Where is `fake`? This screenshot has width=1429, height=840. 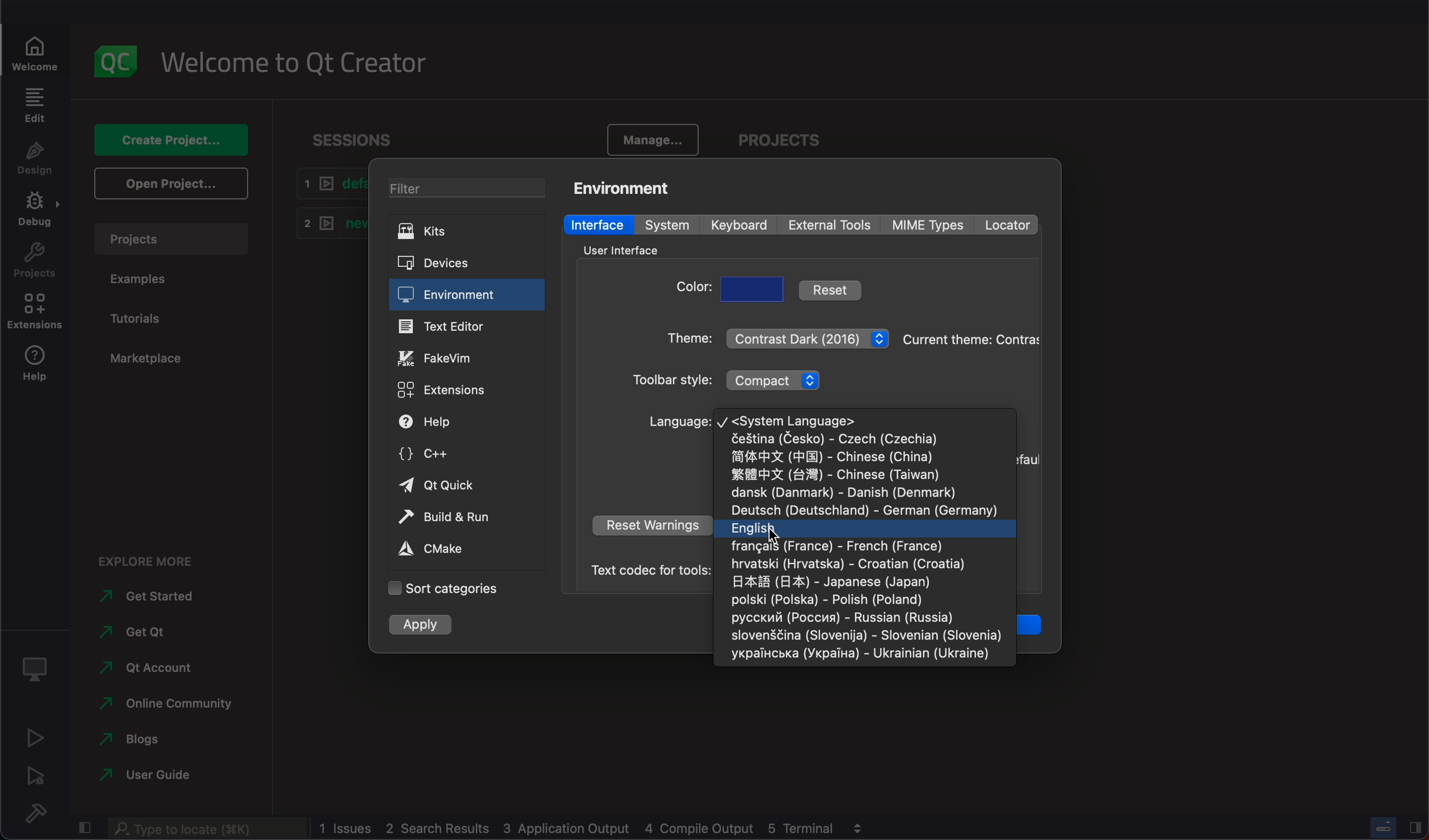 fake is located at coordinates (466, 357).